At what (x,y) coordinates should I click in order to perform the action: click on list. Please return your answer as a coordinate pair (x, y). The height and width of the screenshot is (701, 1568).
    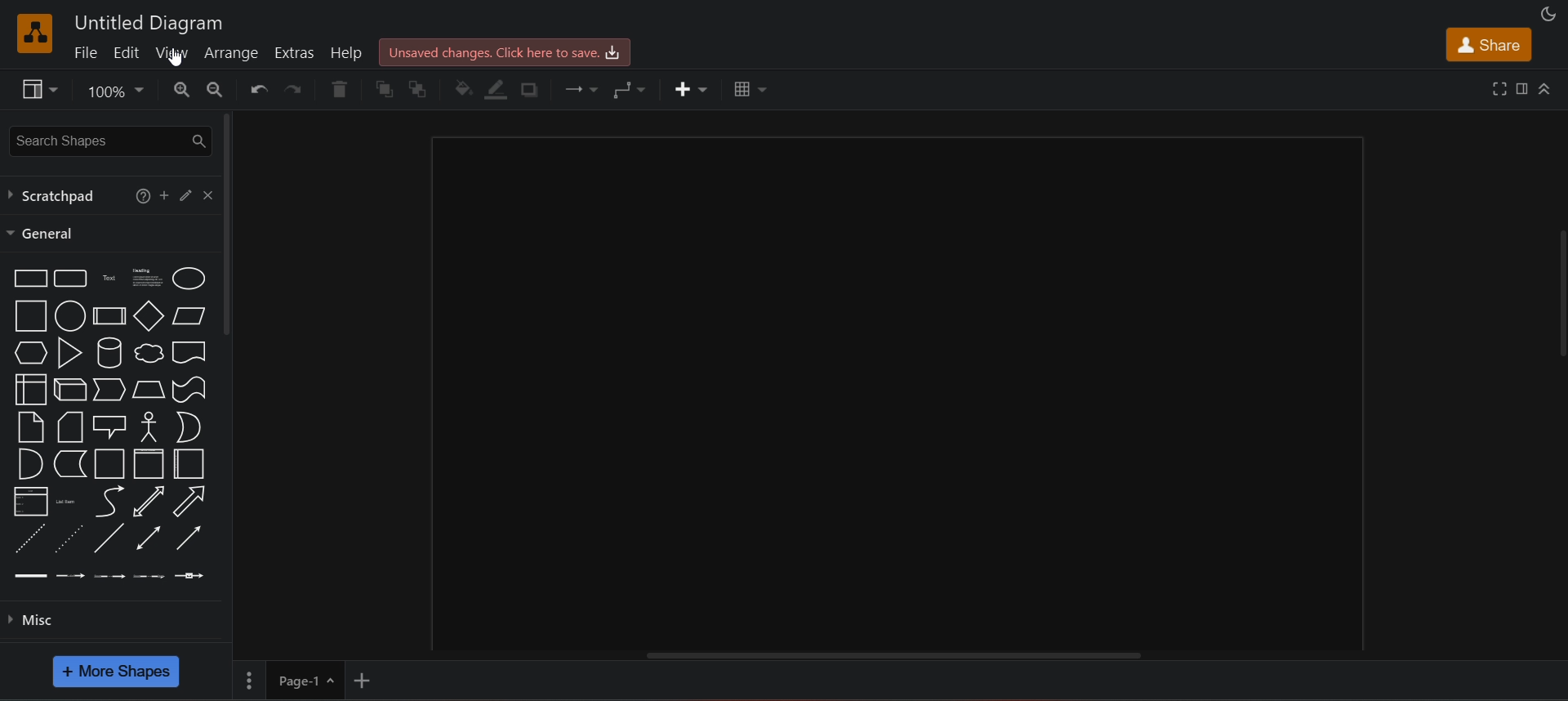
    Looking at the image, I should click on (30, 501).